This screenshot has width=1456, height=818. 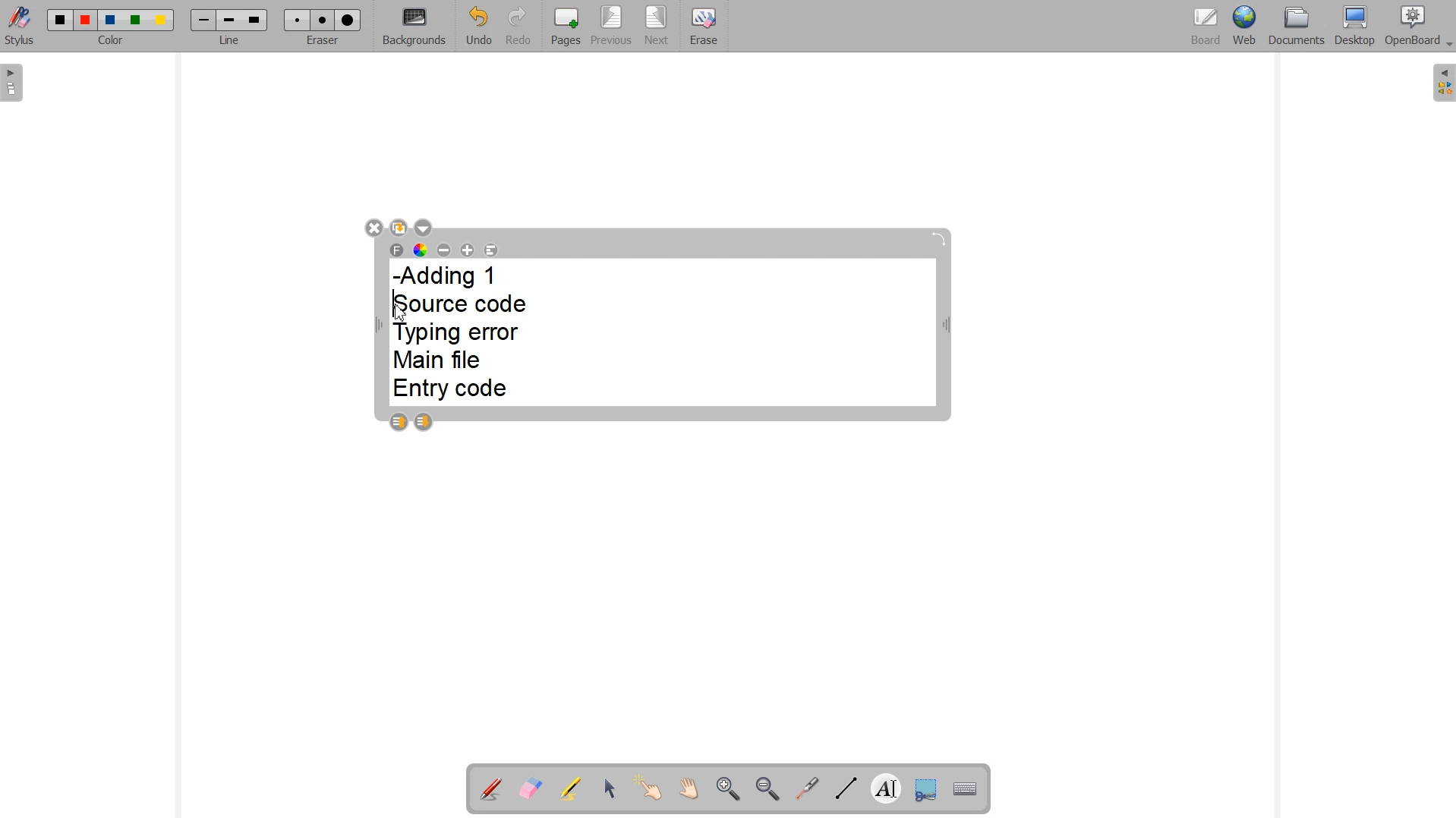 I want to click on Small line, so click(x=204, y=20).